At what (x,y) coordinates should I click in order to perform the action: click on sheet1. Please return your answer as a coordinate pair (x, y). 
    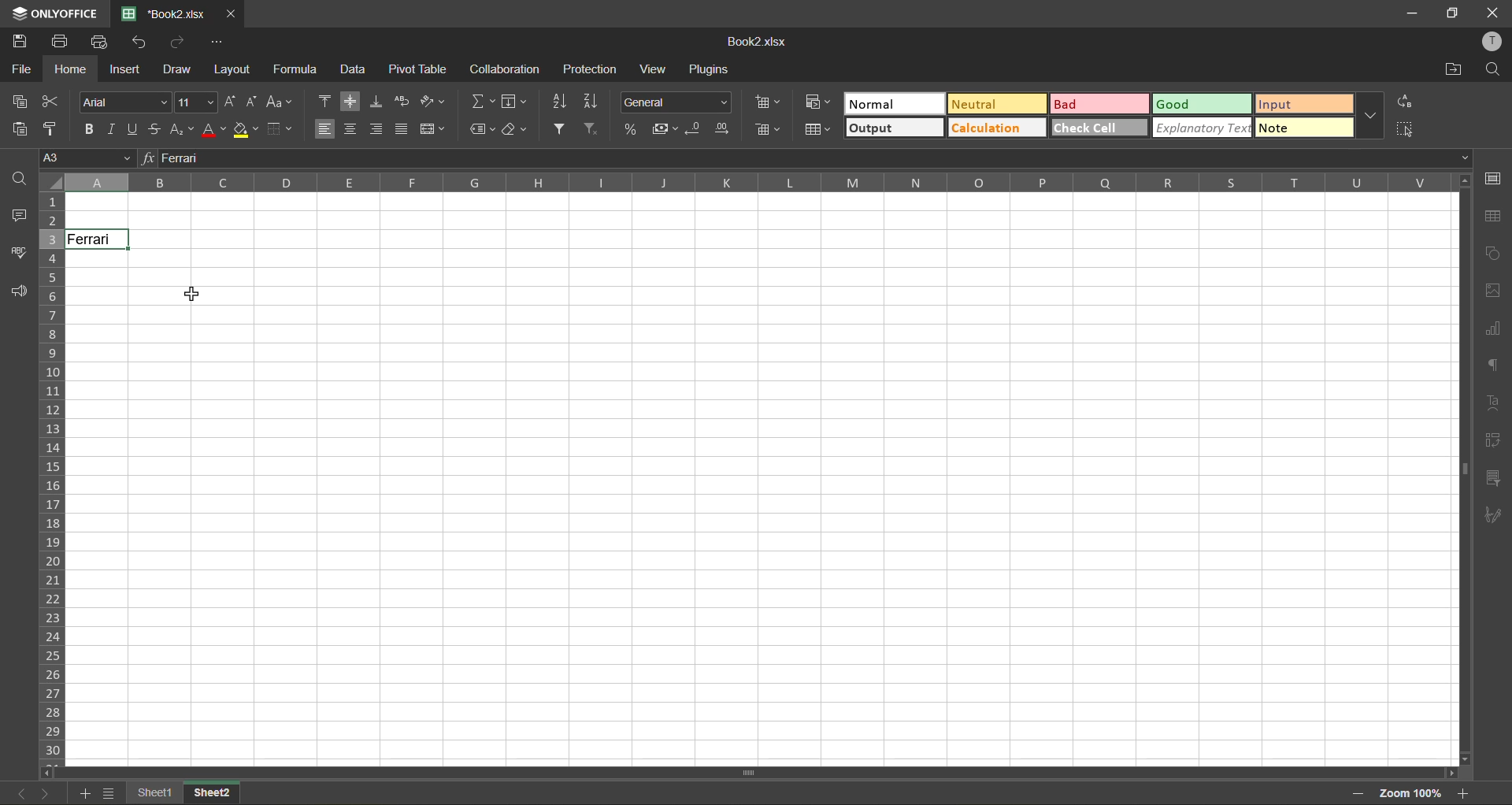
    Looking at the image, I should click on (156, 793).